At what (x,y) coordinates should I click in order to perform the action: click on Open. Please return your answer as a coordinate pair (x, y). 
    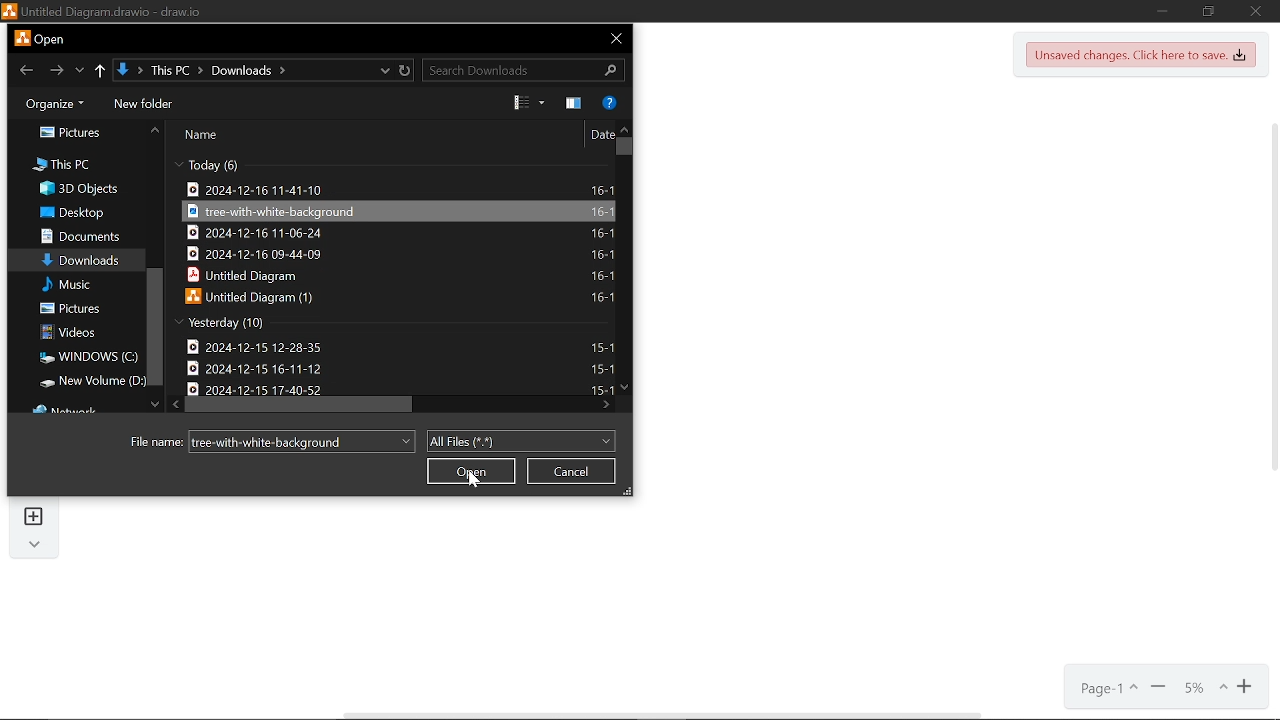
    Looking at the image, I should click on (473, 471).